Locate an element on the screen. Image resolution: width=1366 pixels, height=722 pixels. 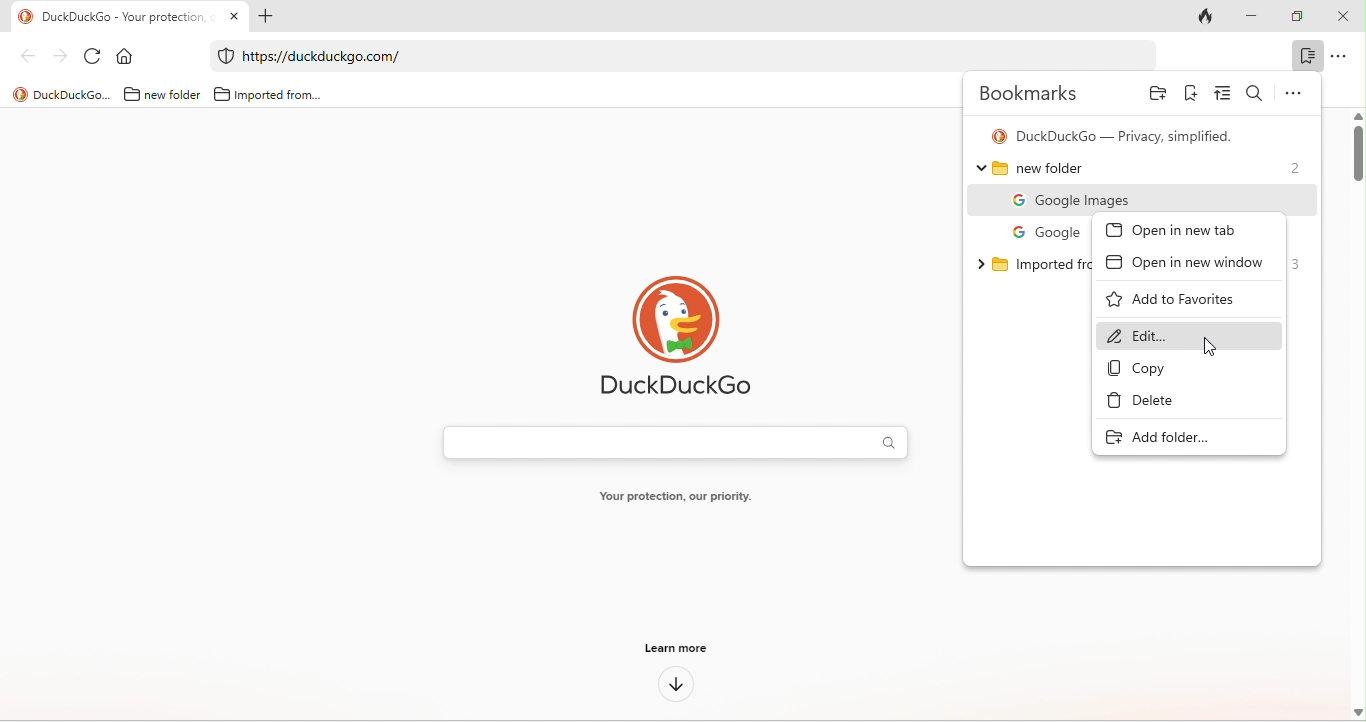
open in new window is located at coordinates (1187, 264).